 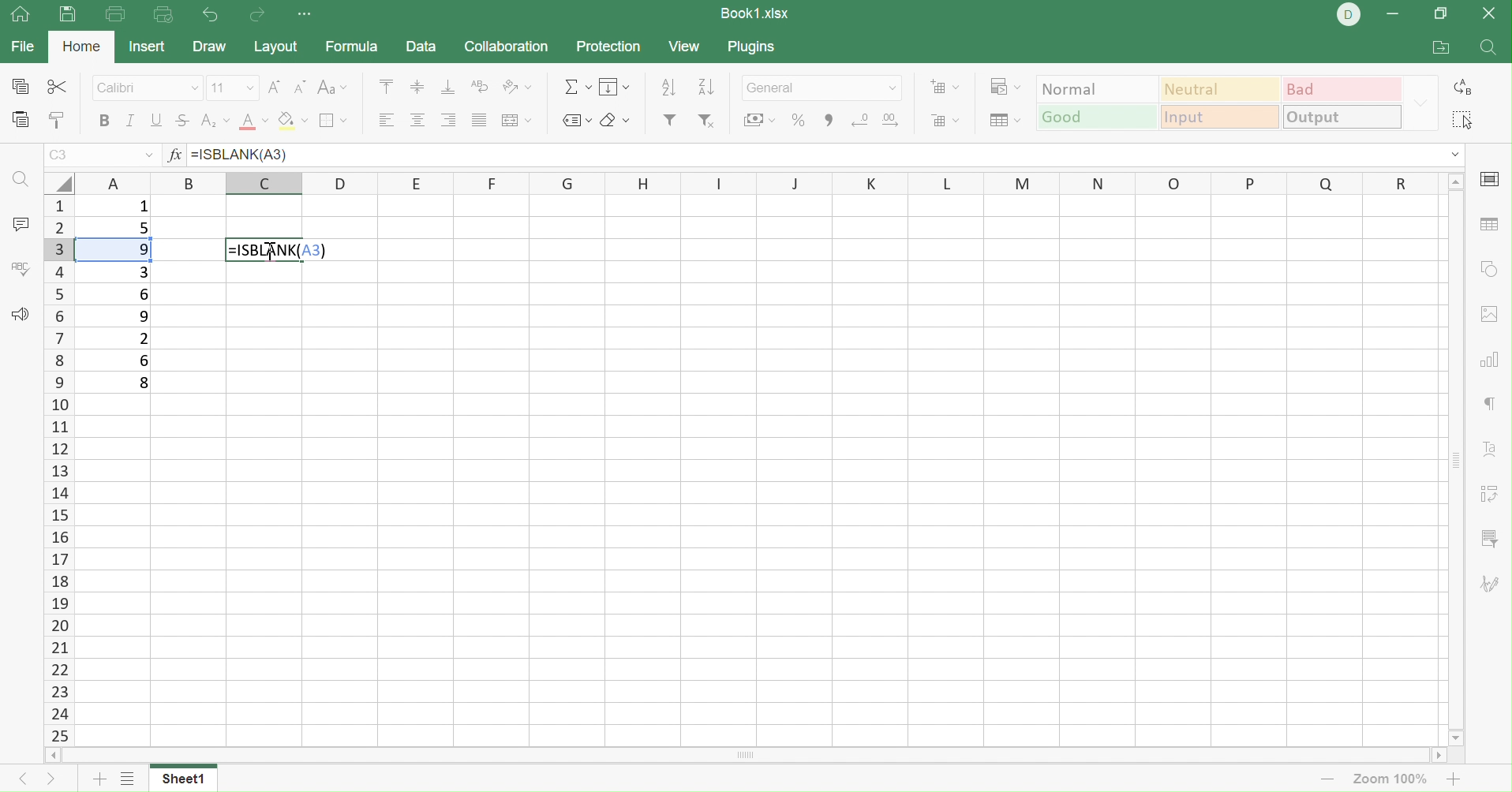 I want to click on Cursor, so click(x=272, y=252).